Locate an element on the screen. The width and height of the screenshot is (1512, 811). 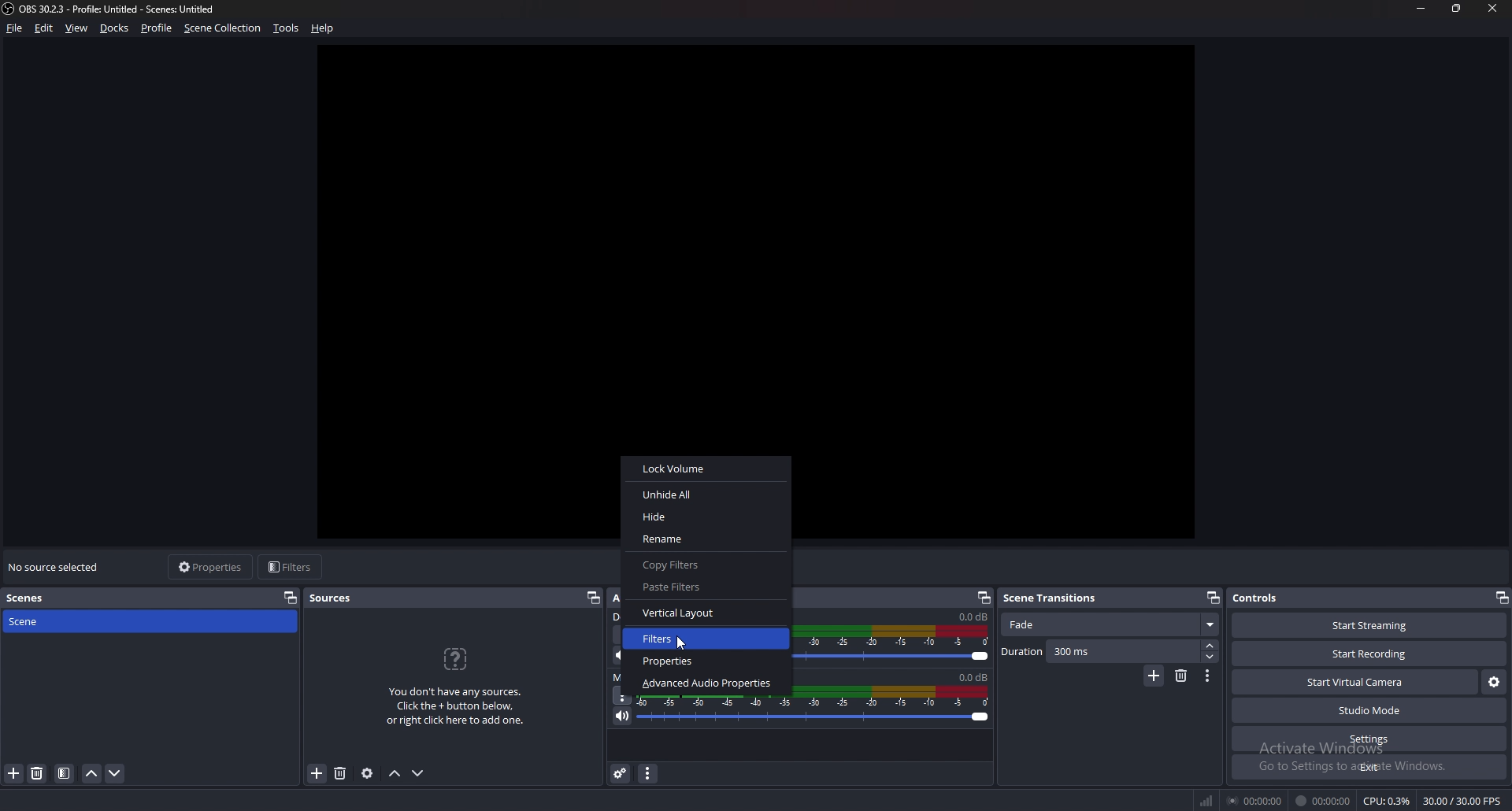
Filters is located at coordinates (654, 640).